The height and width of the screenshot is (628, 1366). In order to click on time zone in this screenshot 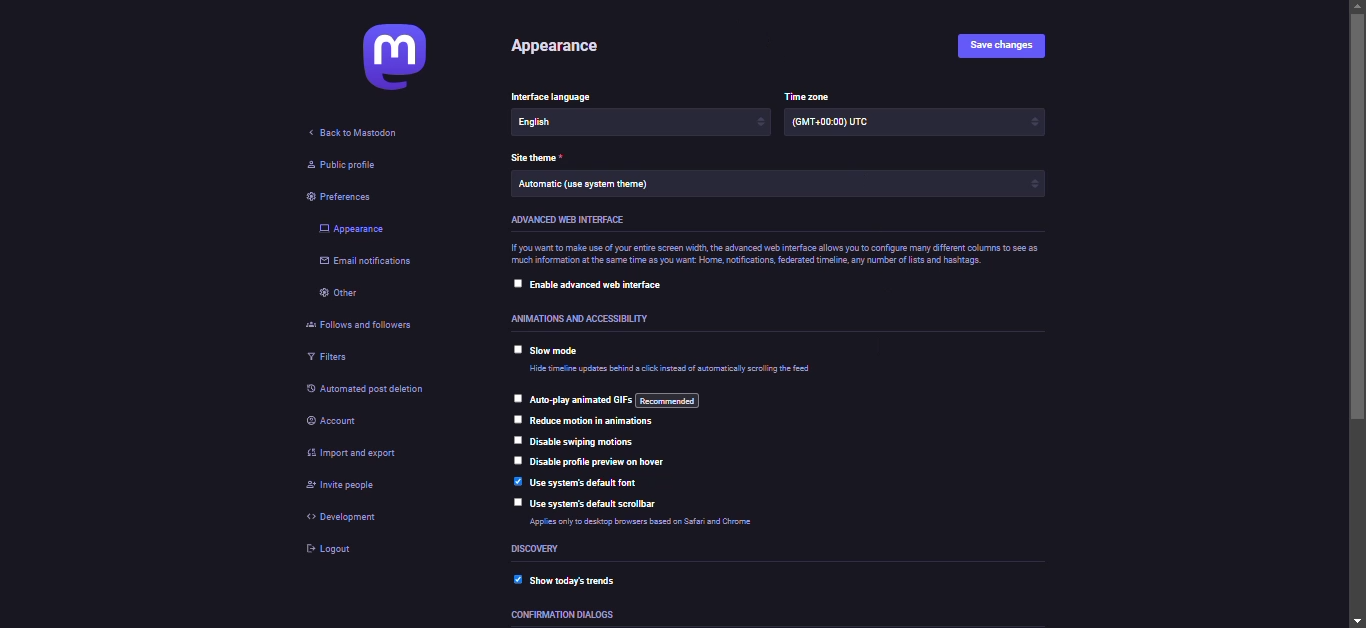, I will do `click(807, 94)`.